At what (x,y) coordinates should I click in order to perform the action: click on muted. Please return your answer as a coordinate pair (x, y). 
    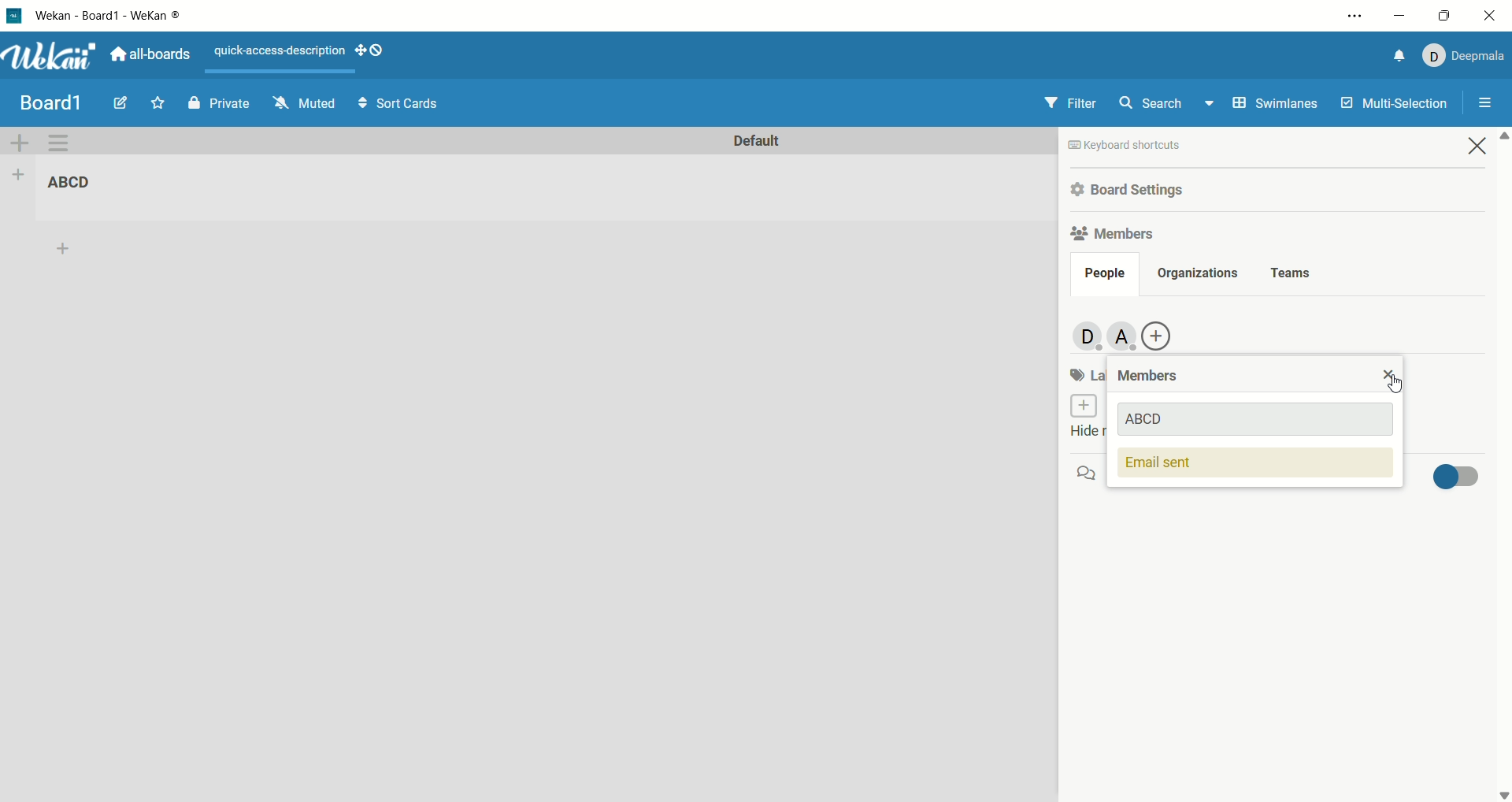
    Looking at the image, I should click on (305, 103).